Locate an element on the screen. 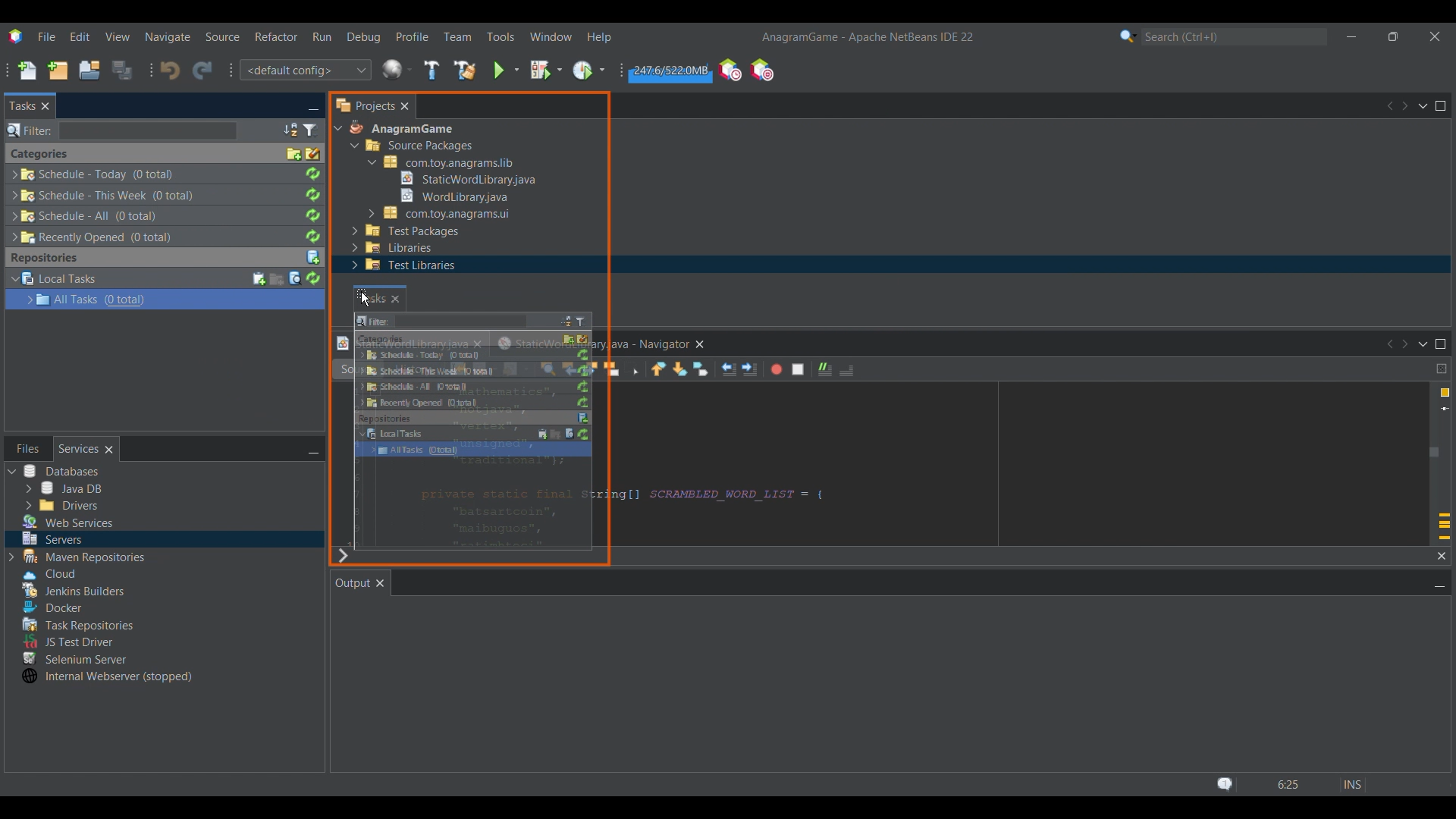 The image size is (1456, 819).  is located at coordinates (79, 590).